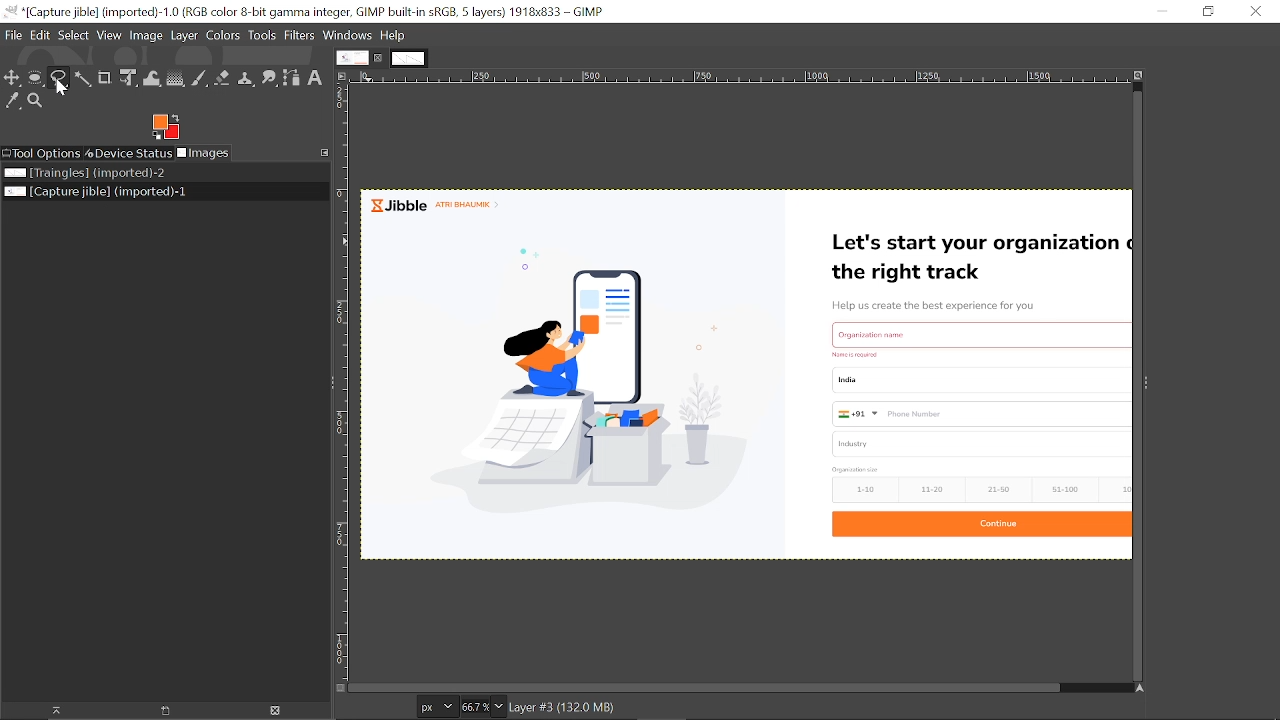 The width and height of the screenshot is (1280, 720). Describe the element at coordinates (160, 711) in the screenshot. I see `open new display for the image` at that location.